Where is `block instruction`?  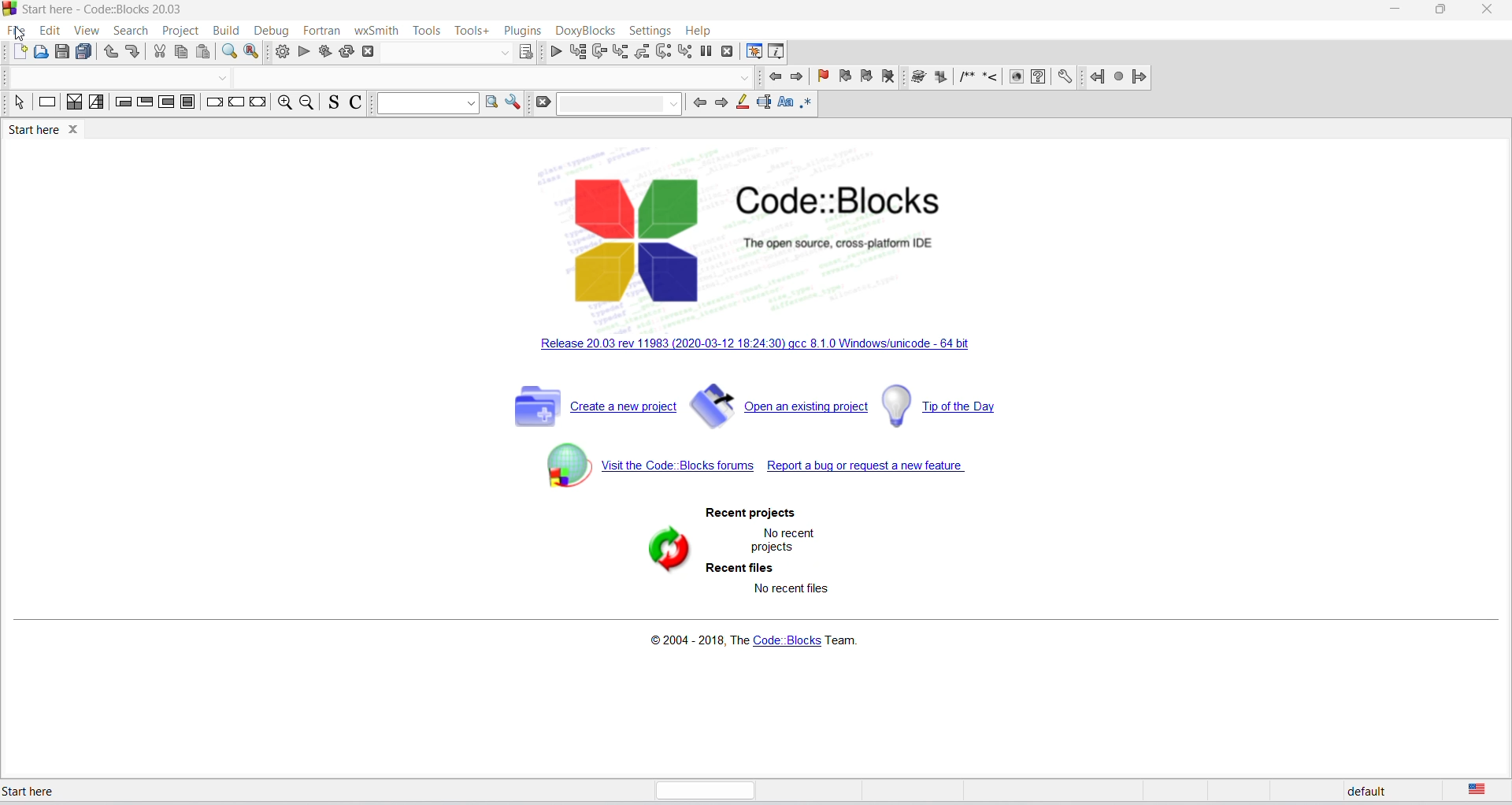 block instruction is located at coordinates (187, 106).